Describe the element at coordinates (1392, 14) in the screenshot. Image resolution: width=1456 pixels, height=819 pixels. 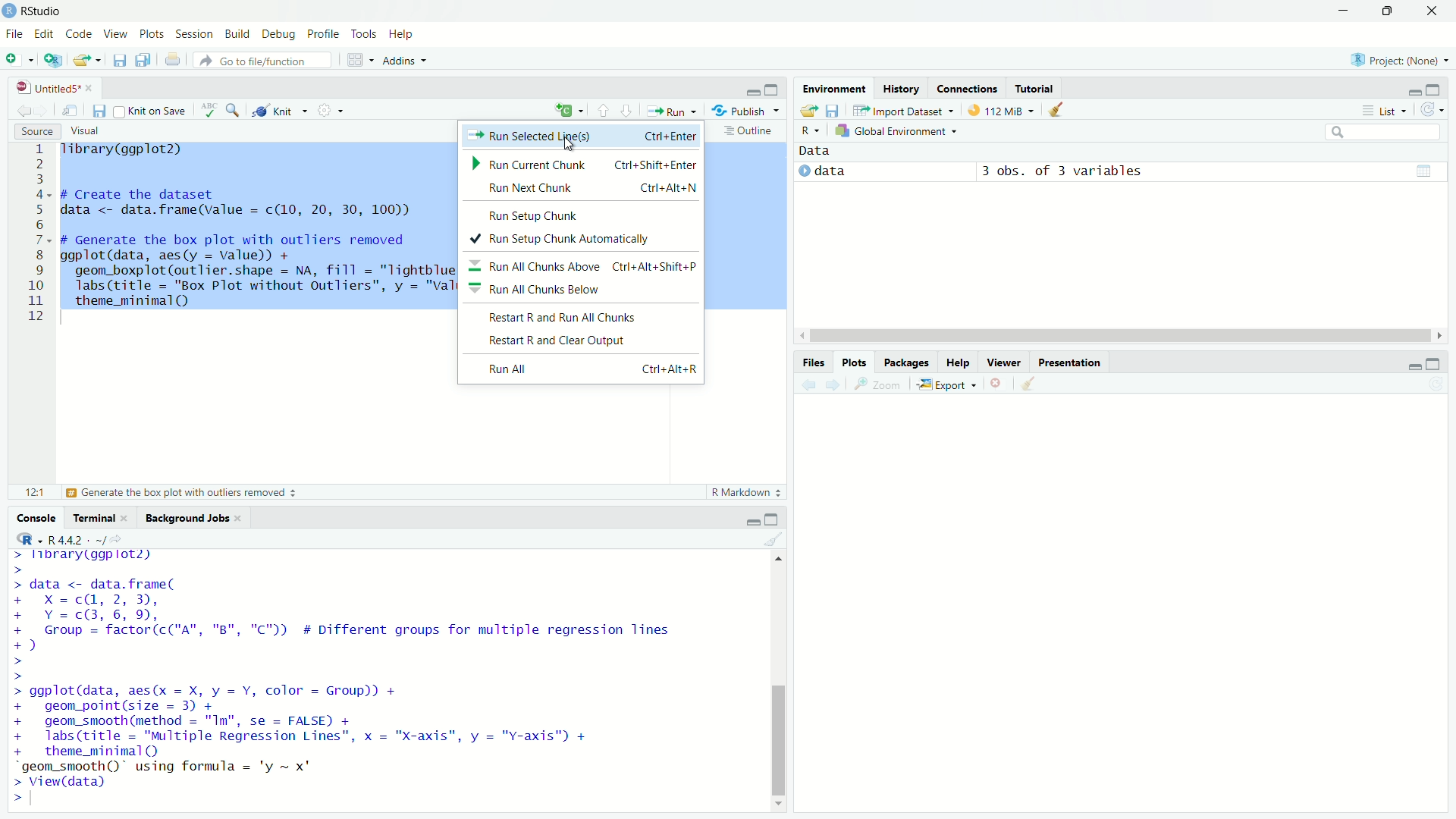
I see `maximise` at that location.